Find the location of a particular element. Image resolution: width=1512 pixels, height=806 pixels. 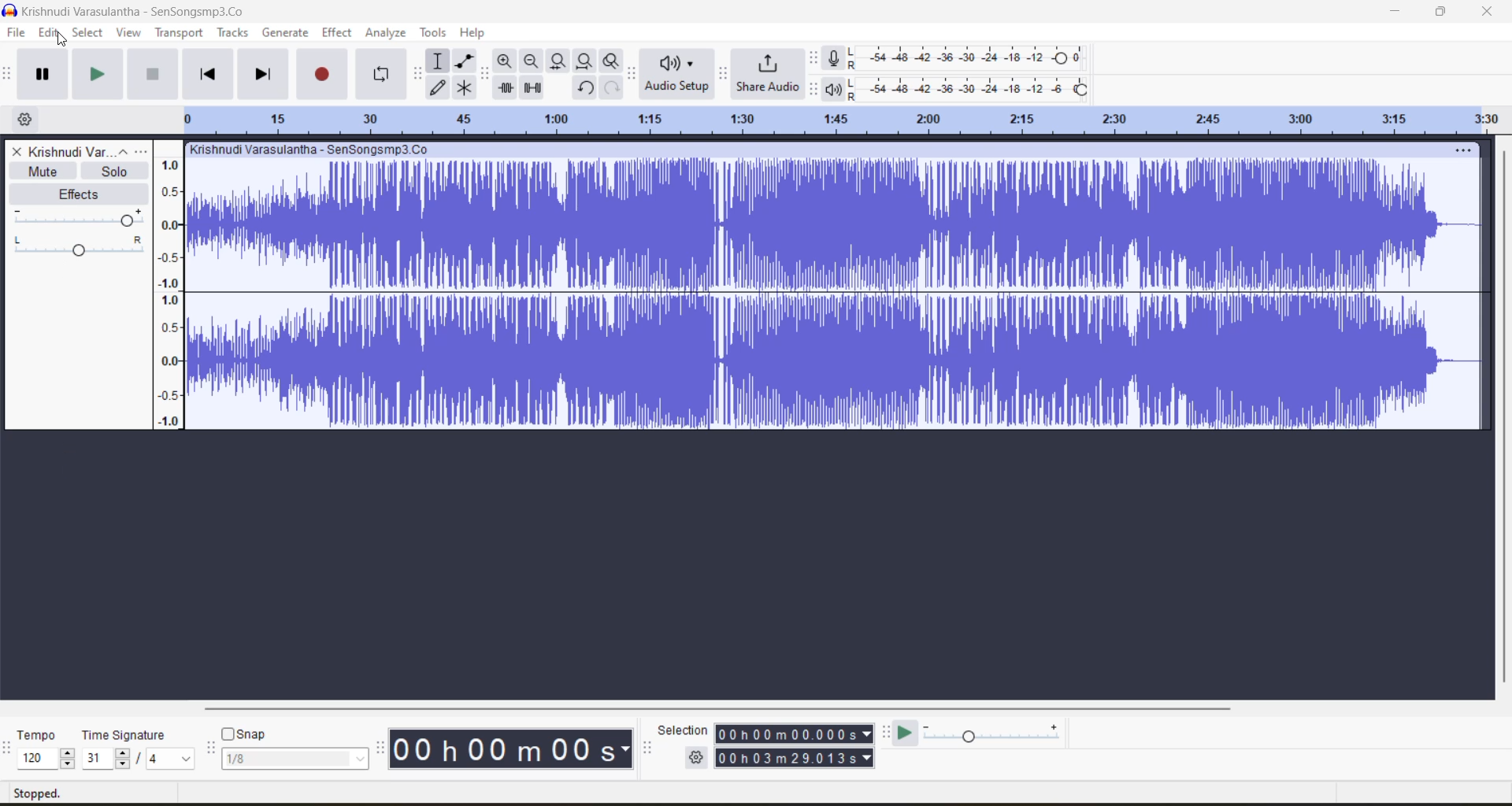

maximize is located at coordinates (1444, 12).